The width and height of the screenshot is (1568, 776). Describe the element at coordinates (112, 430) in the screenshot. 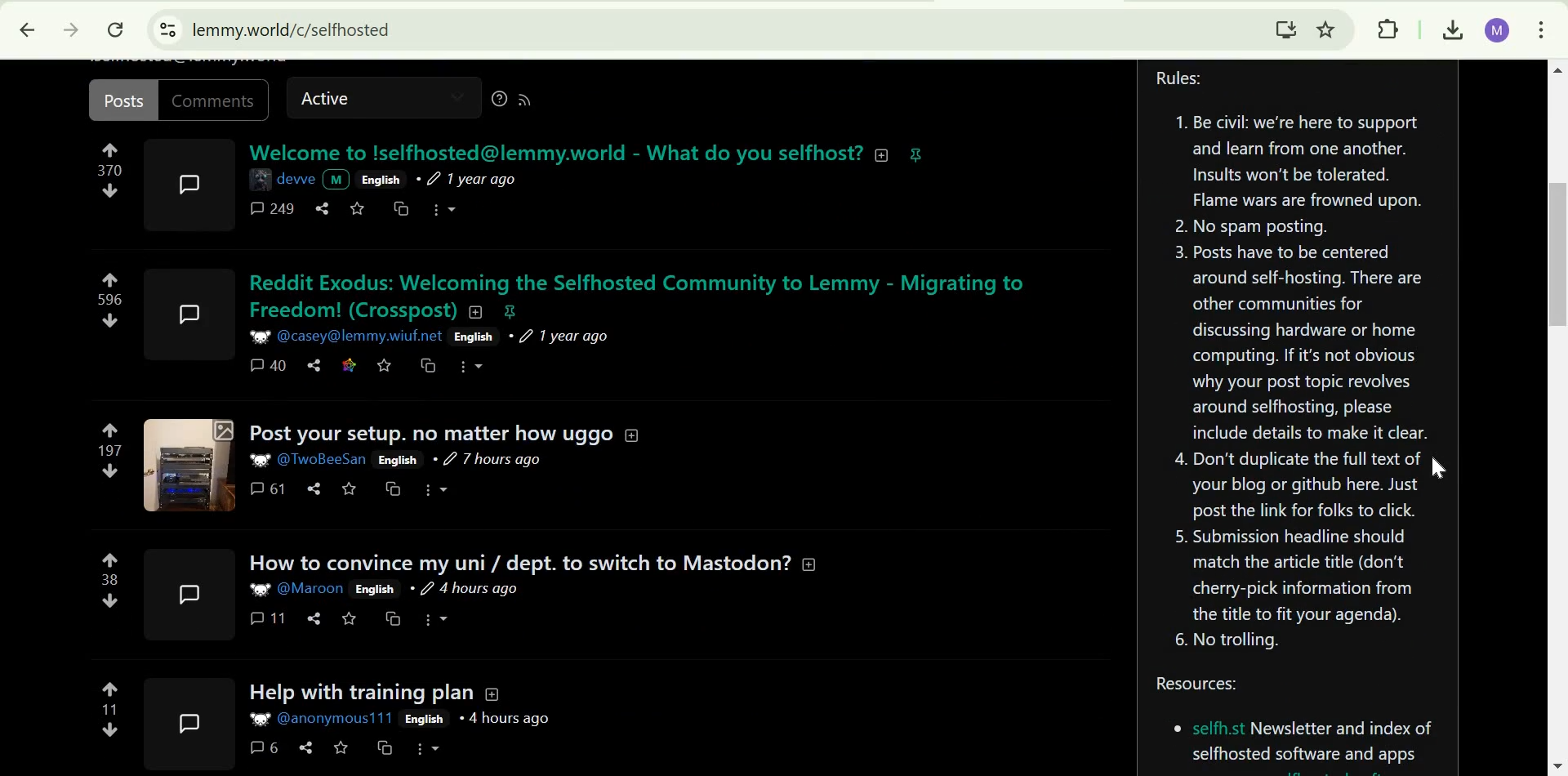

I see `upvote` at that location.